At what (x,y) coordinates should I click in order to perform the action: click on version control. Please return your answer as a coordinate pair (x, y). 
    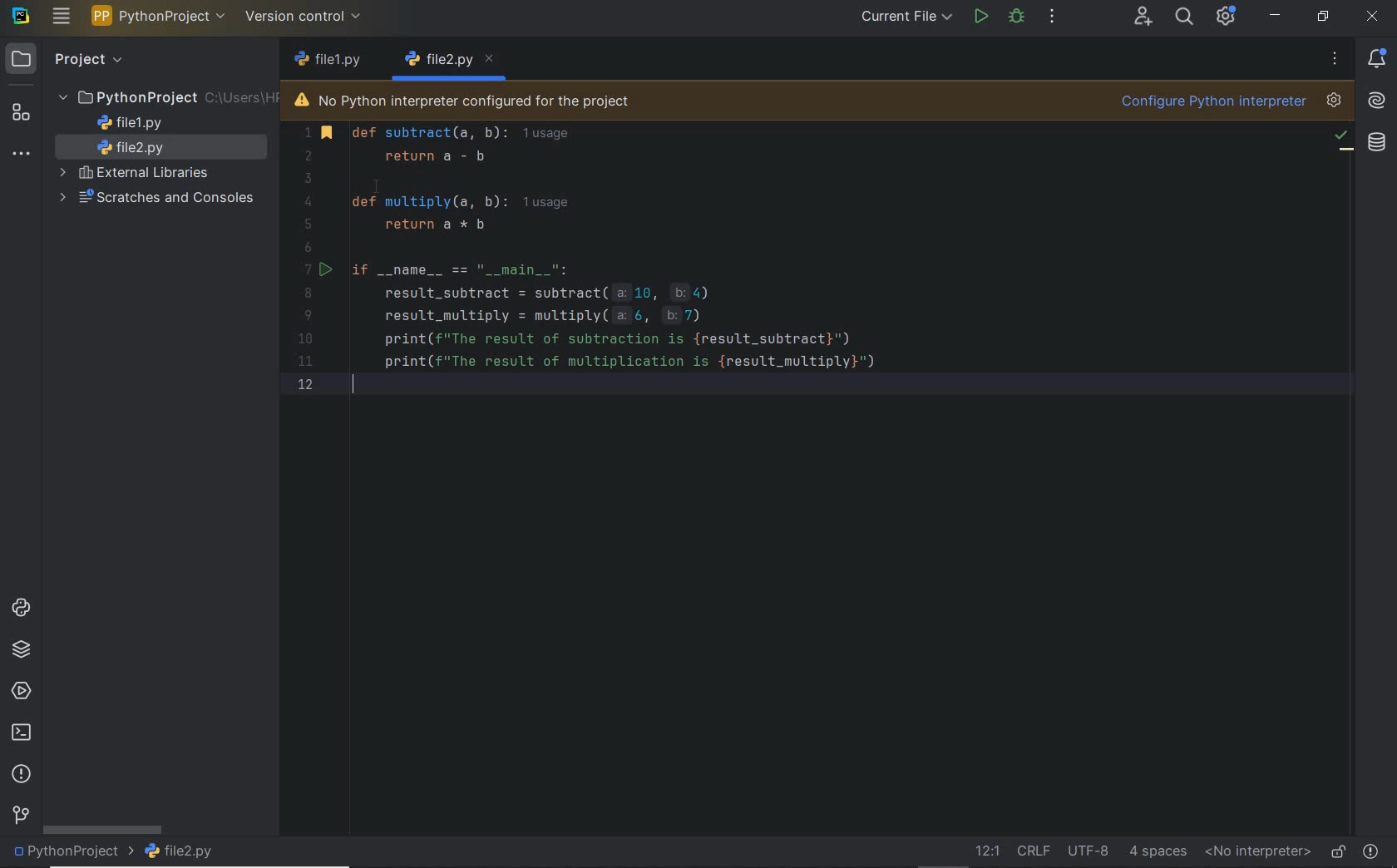
    Looking at the image, I should click on (18, 816).